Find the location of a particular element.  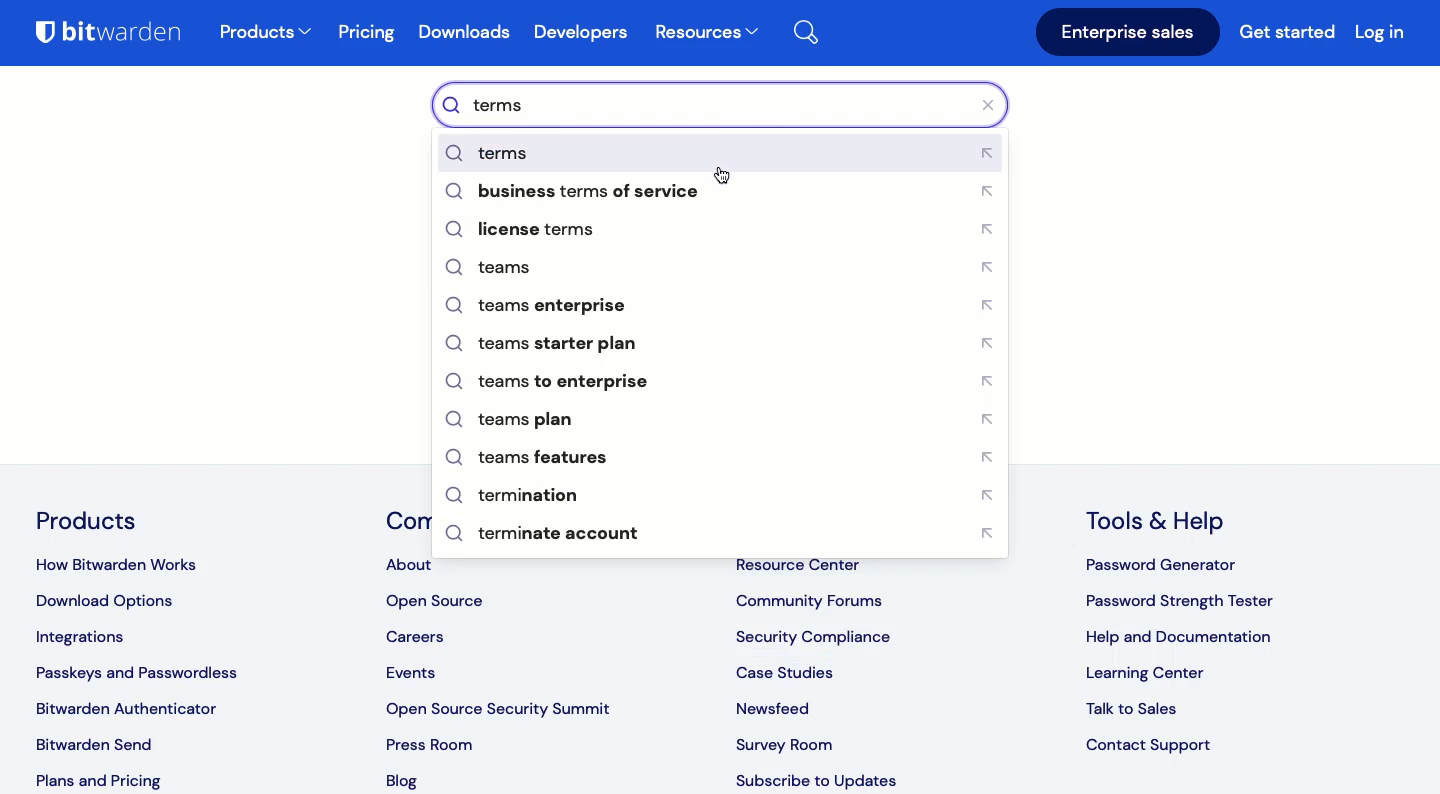

help and documentation is located at coordinates (1181, 638).